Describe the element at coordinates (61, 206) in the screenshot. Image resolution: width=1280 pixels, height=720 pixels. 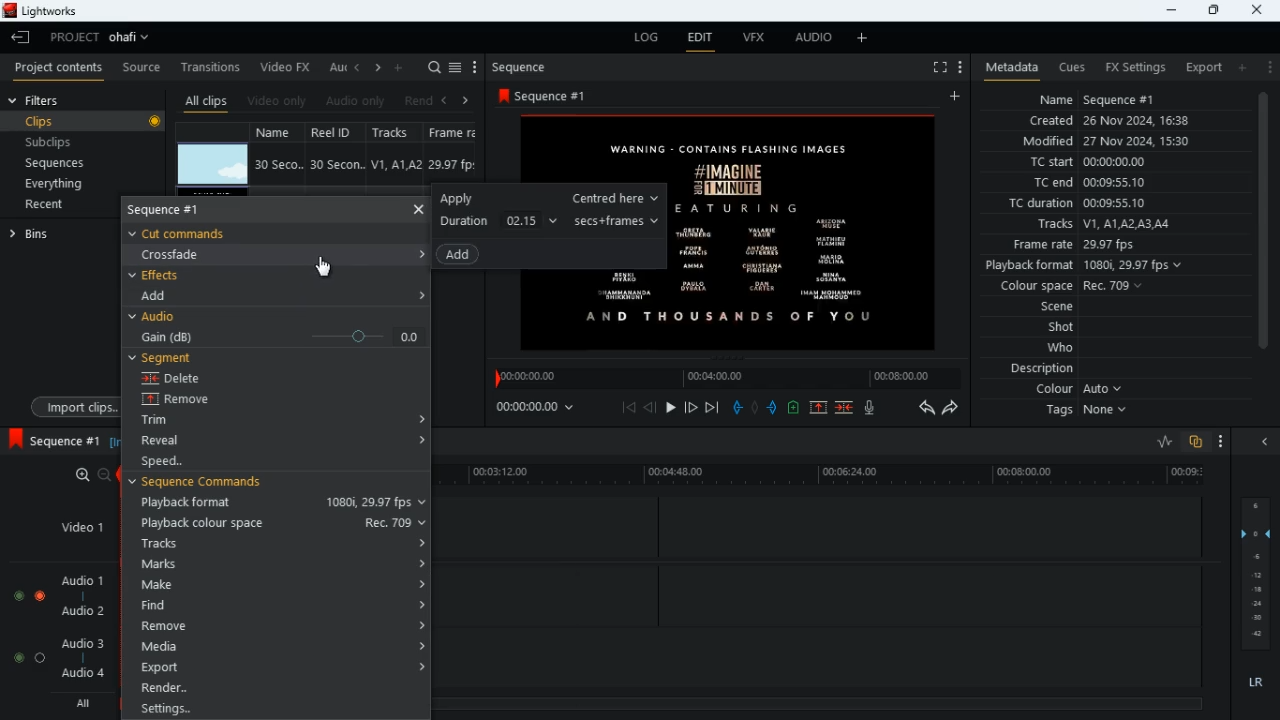
I see `recent` at that location.